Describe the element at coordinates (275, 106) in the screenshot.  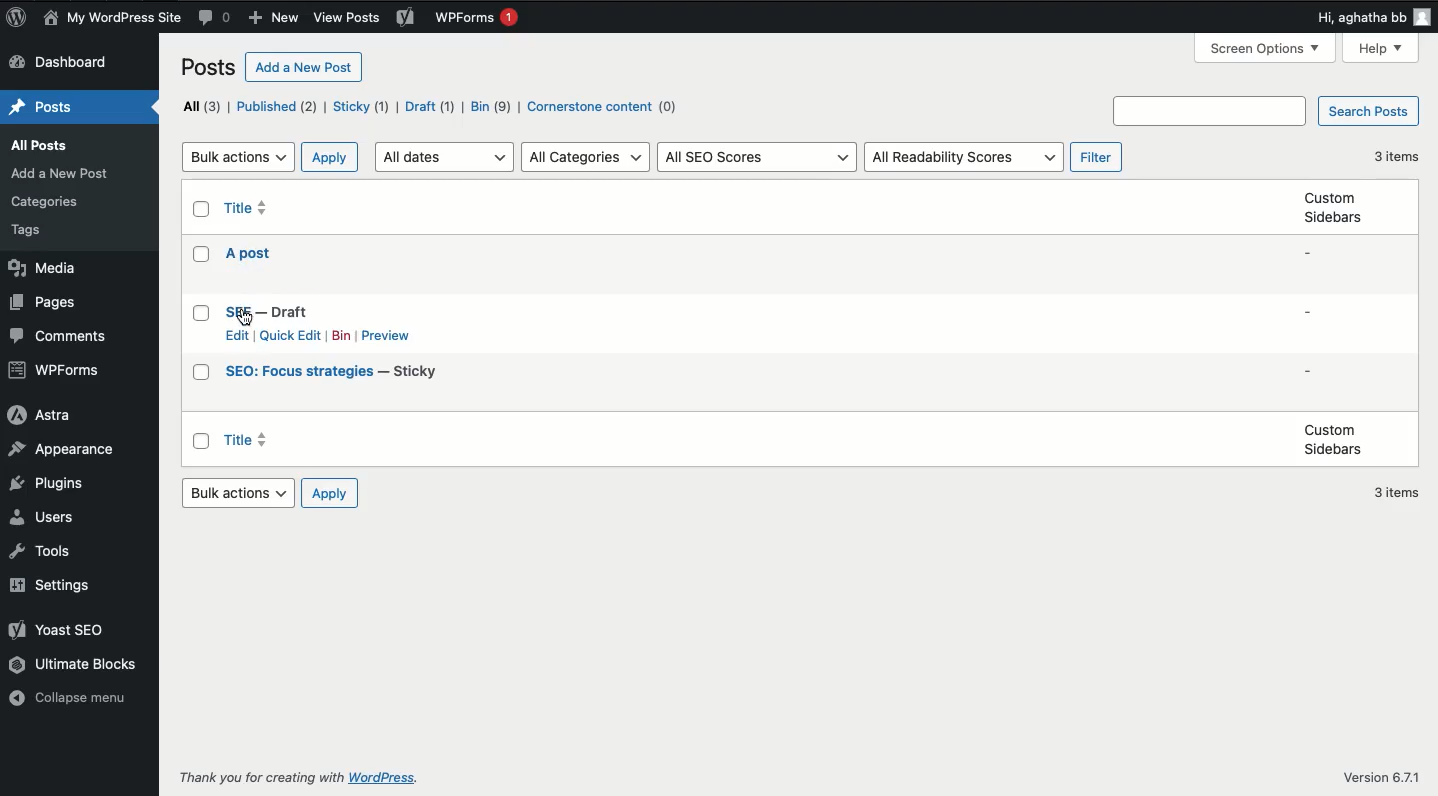
I see `Published` at that location.